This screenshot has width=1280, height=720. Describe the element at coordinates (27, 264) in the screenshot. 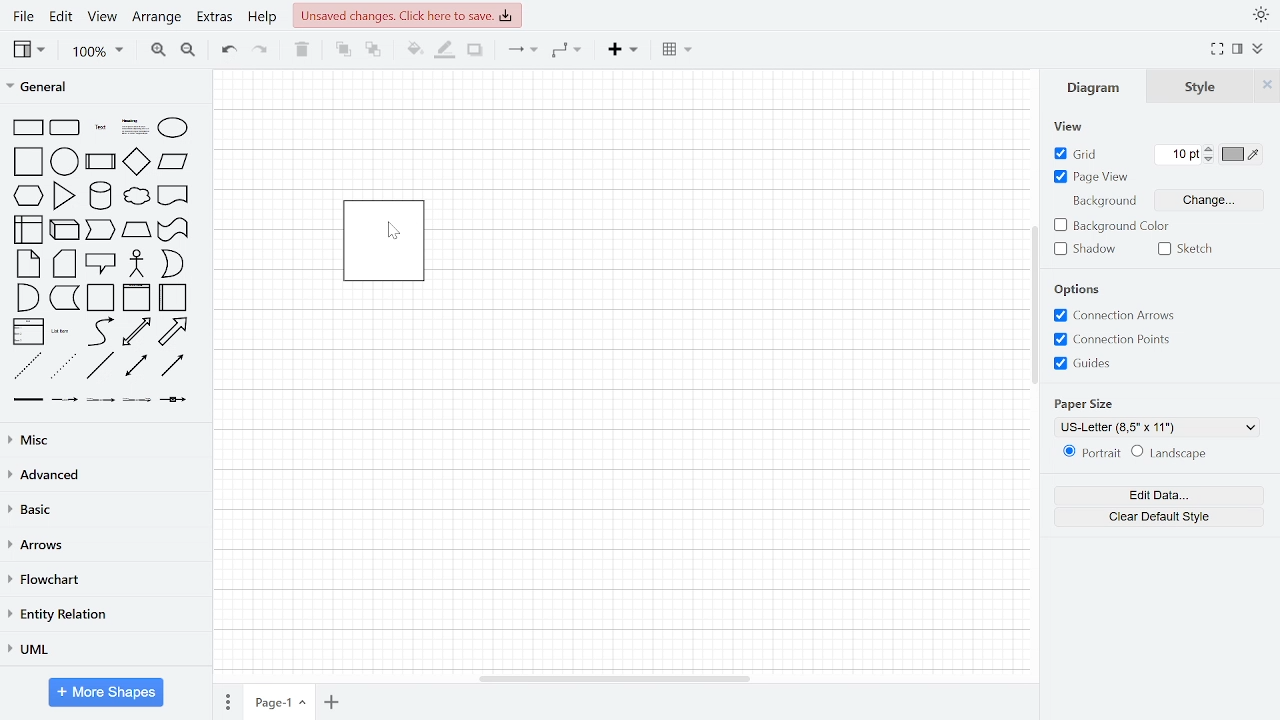

I see `note` at that location.